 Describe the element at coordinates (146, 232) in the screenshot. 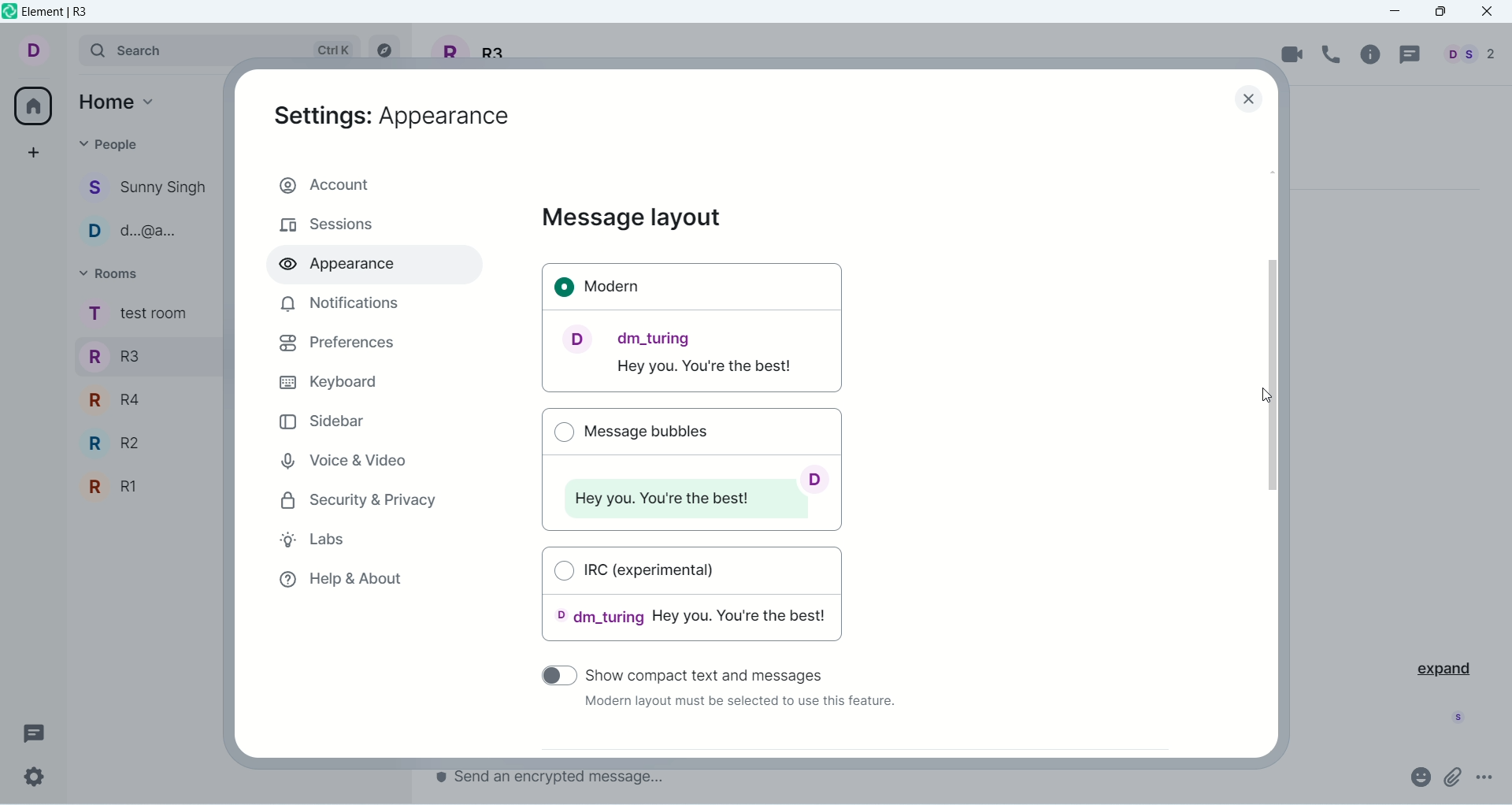

I see `people` at that location.